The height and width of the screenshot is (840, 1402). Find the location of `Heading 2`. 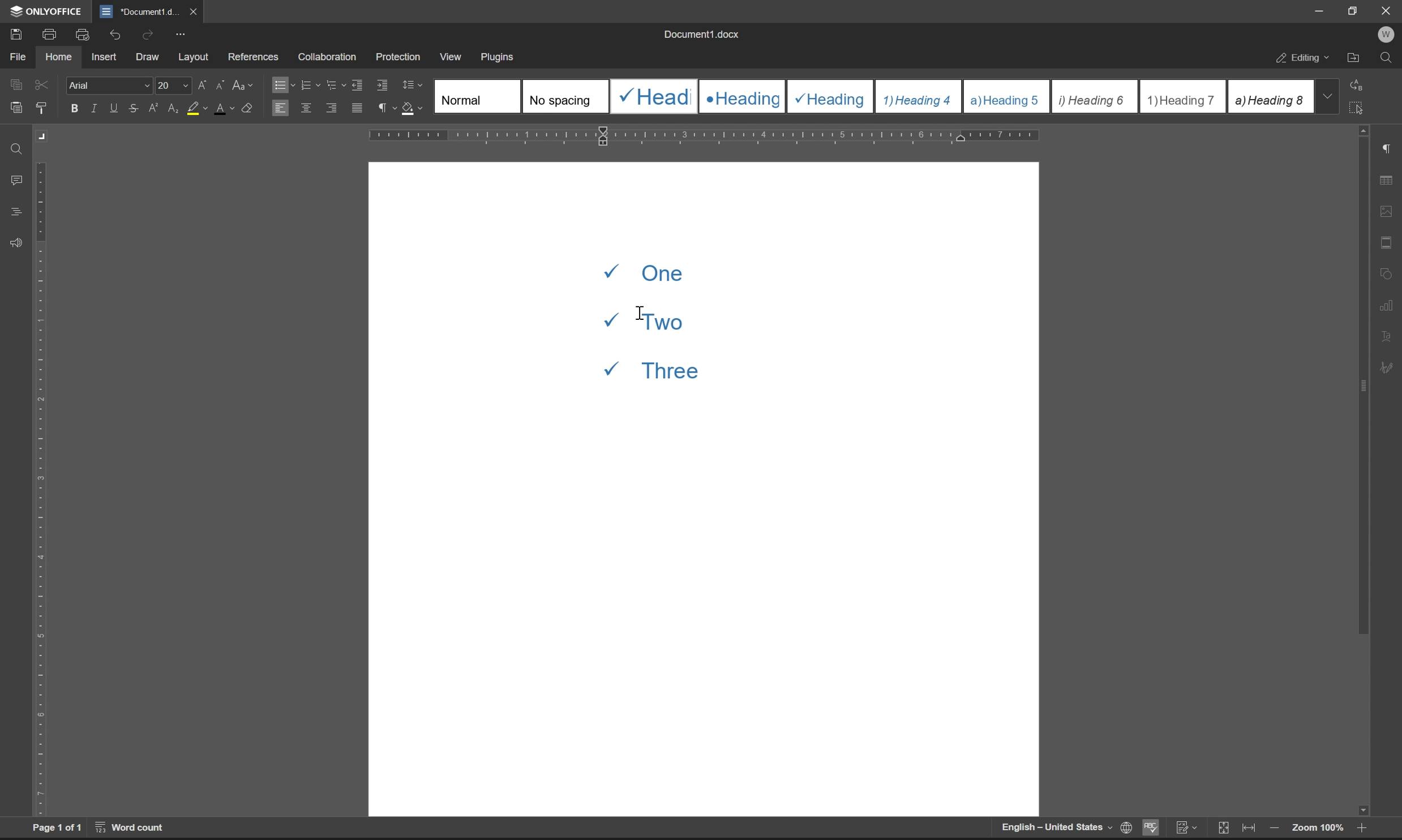

Heading 2 is located at coordinates (742, 97).